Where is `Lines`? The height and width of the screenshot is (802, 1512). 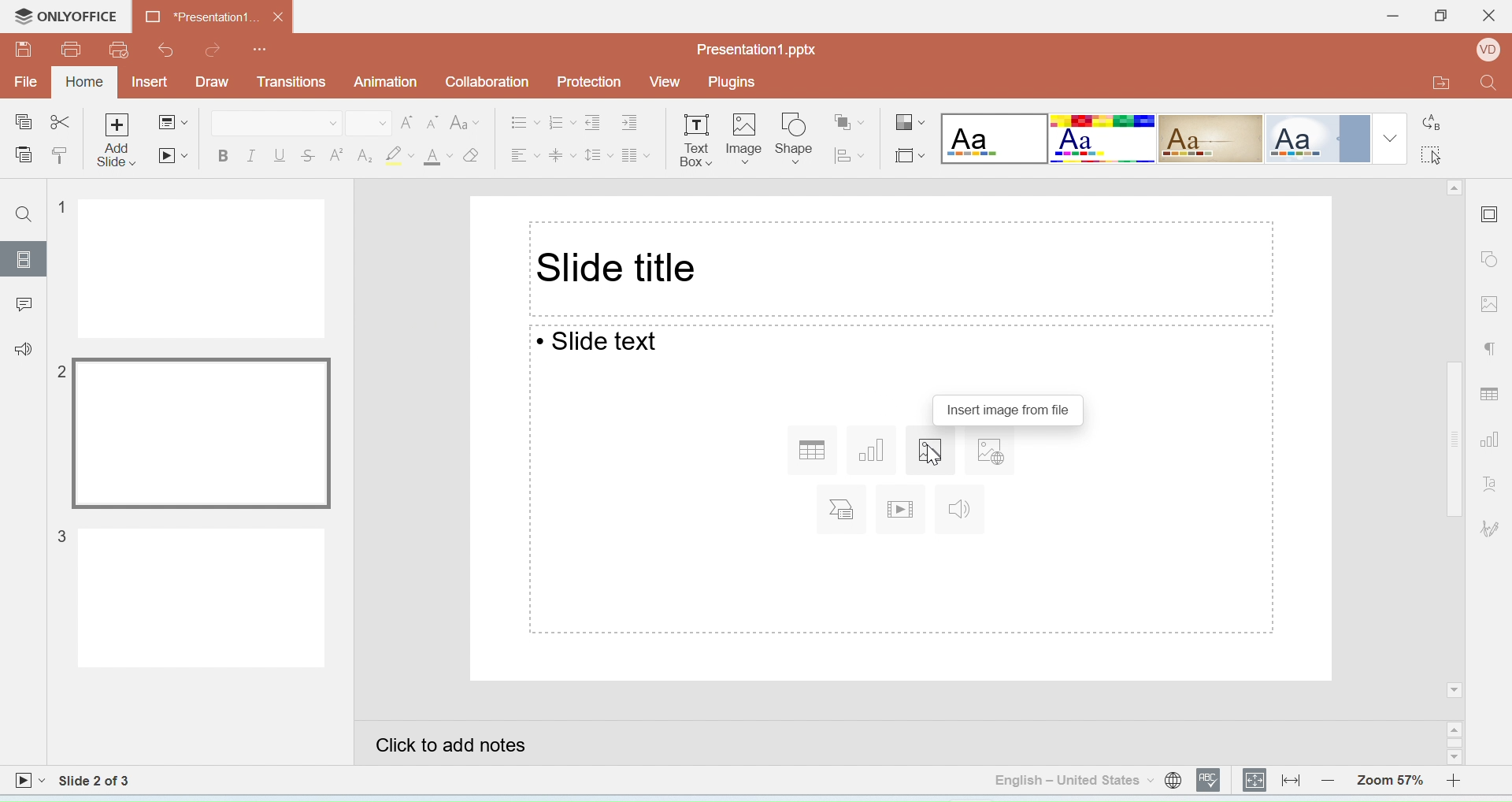
Lines is located at coordinates (1211, 139).